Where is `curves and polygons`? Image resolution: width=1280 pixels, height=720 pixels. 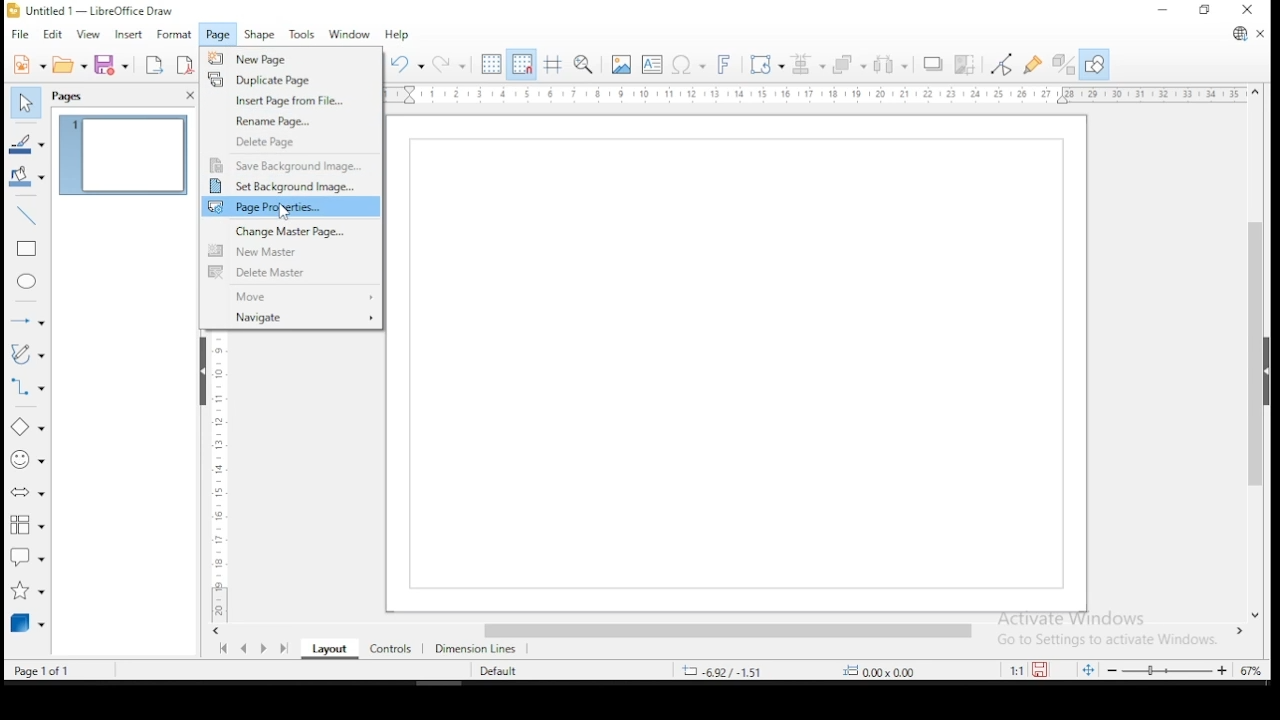
curves and polygons is located at coordinates (27, 355).